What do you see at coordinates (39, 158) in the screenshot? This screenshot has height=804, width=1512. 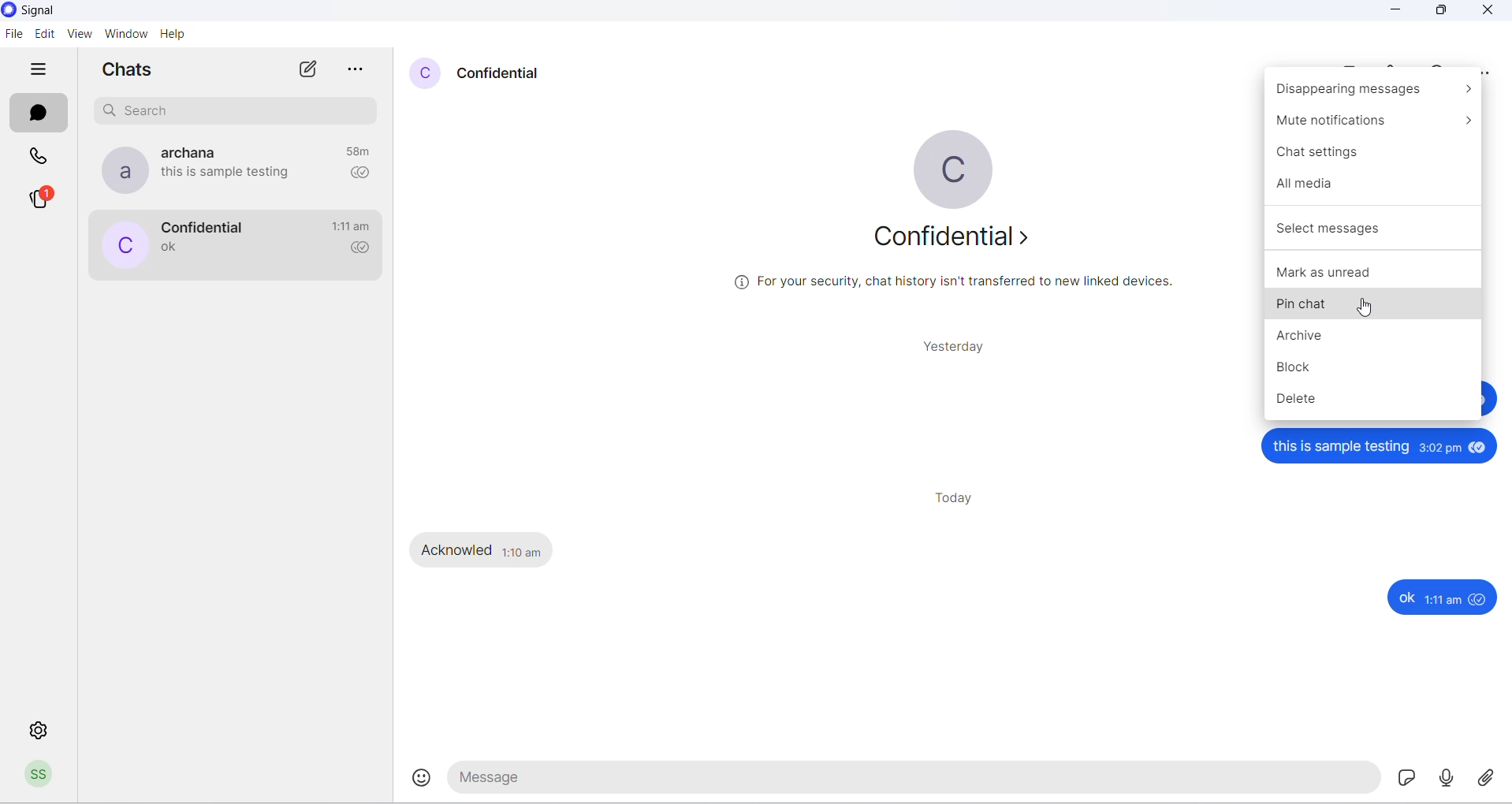 I see `calls` at bounding box center [39, 158].